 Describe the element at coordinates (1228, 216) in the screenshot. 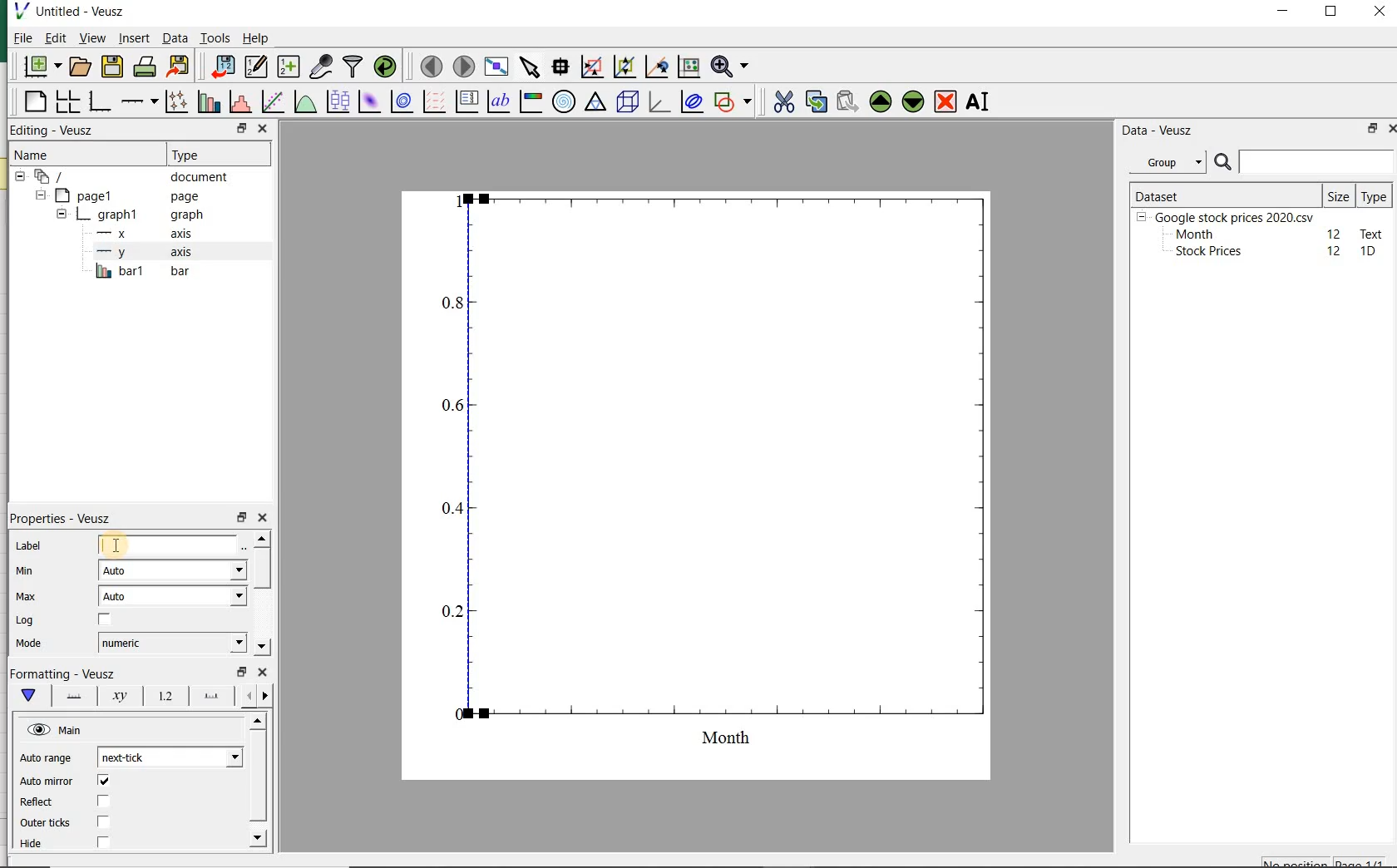

I see `Google stock prices 2020.csv` at that location.